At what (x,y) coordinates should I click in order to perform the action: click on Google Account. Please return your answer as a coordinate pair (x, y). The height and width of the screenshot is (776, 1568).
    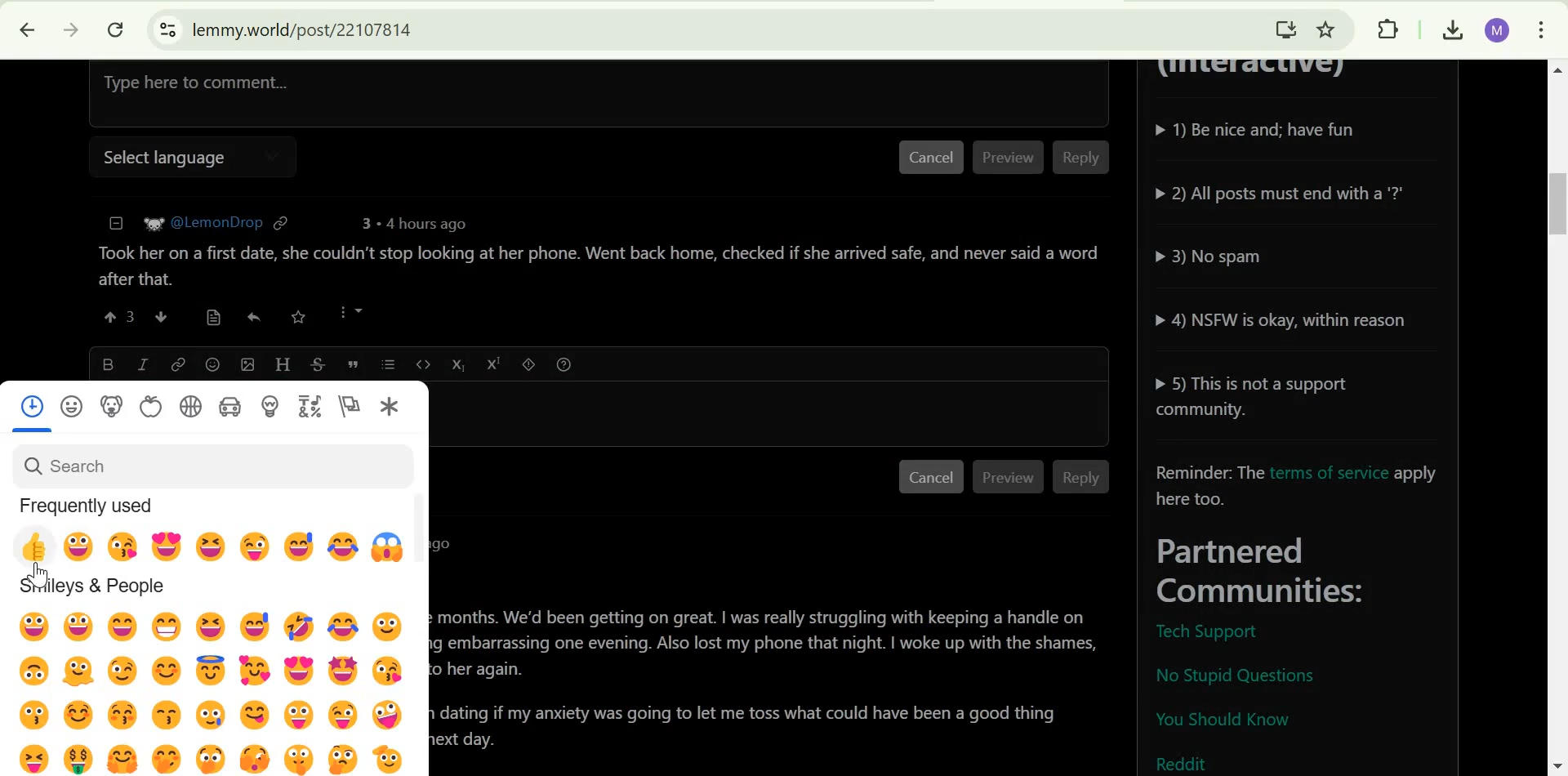
    Looking at the image, I should click on (1497, 31).